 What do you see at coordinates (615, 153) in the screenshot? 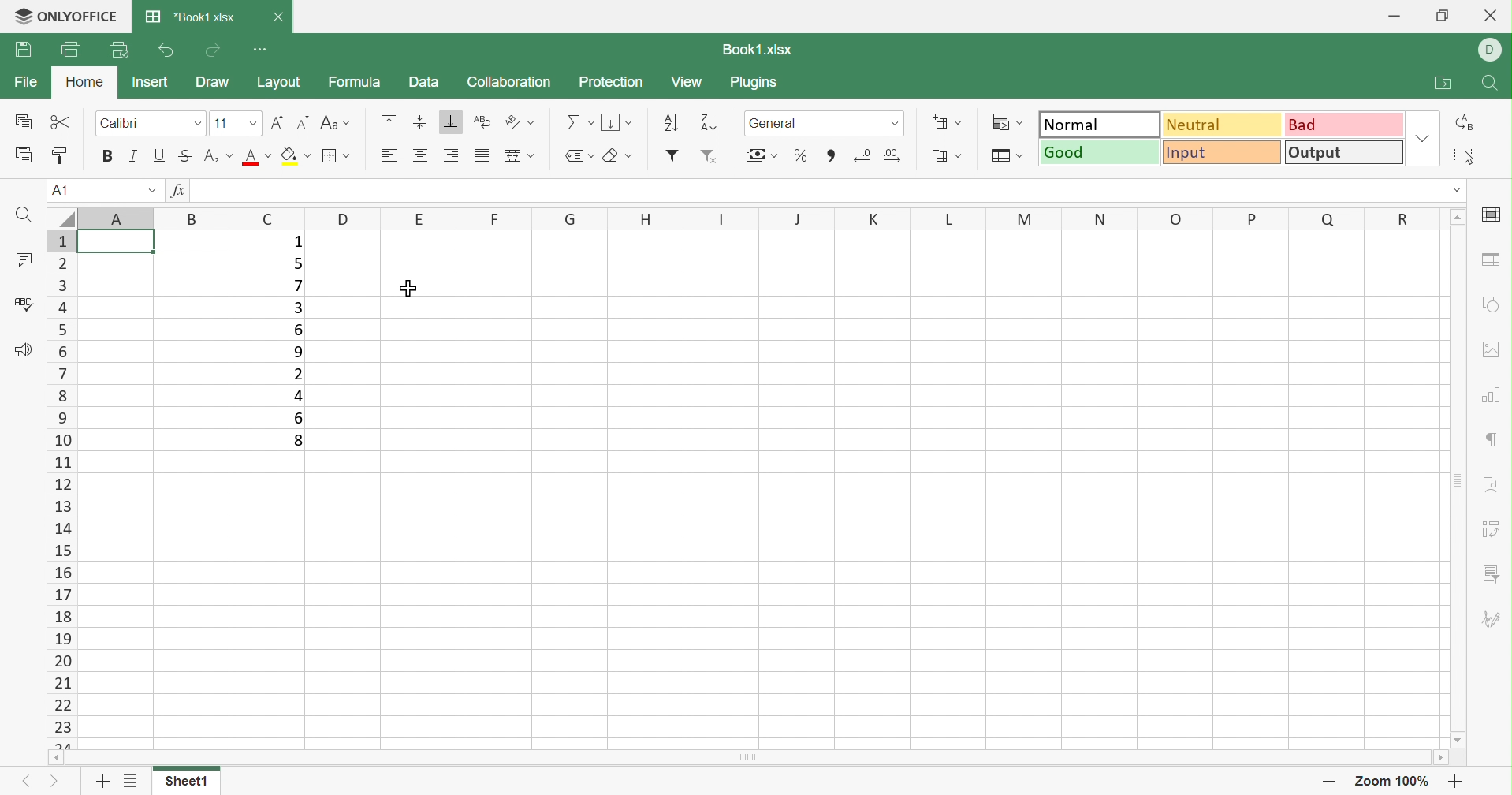
I see `Clear` at bounding box center [615, 153].